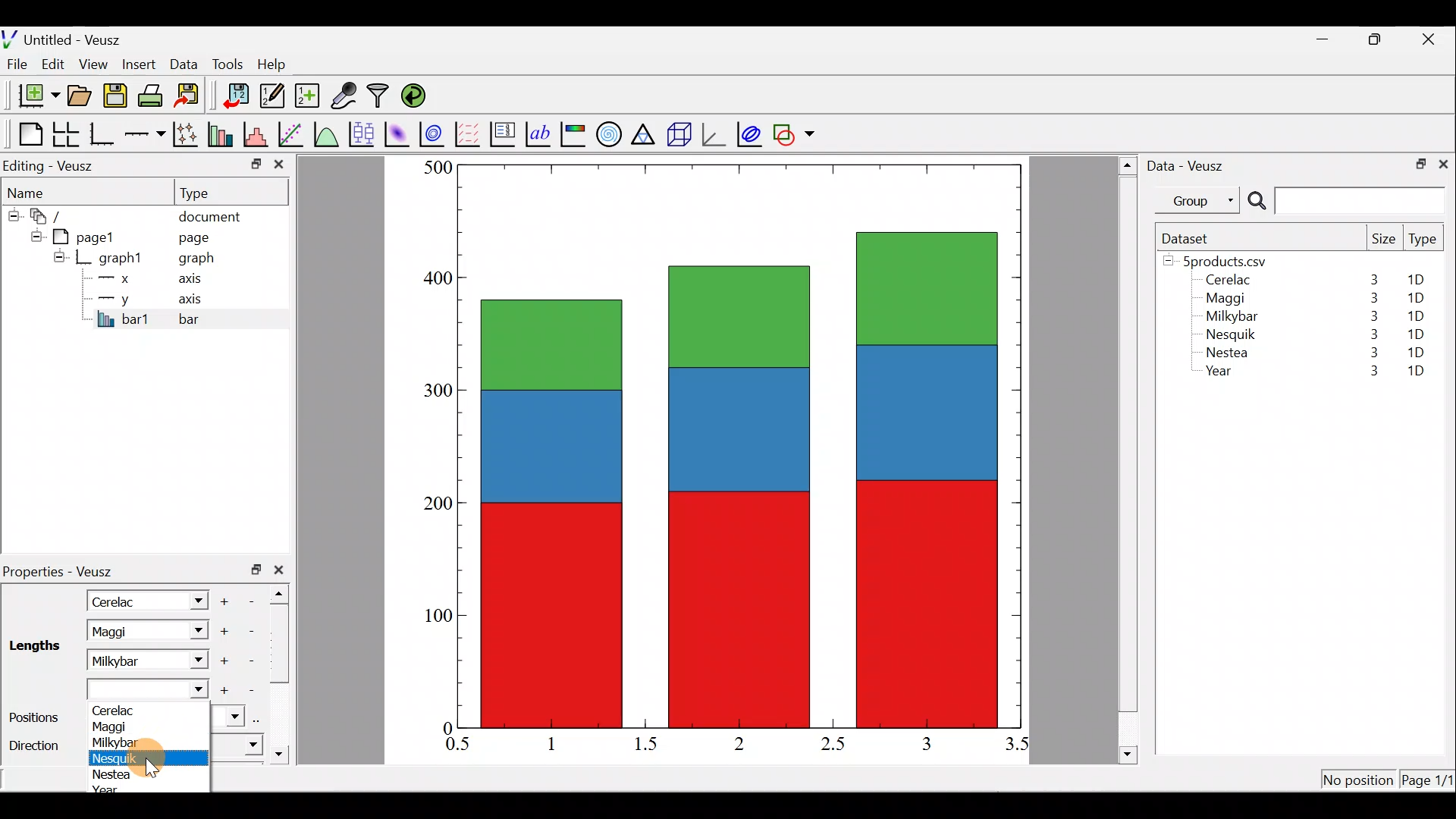 Image resolution: width=1456 pixels, height=819 pixels. What do you see at coordinates (309, 96) in the screenshot?
I see `Create new dataset using ranges, parametrically, or as functions of existing datasets.` at bounding box center [309, 96].